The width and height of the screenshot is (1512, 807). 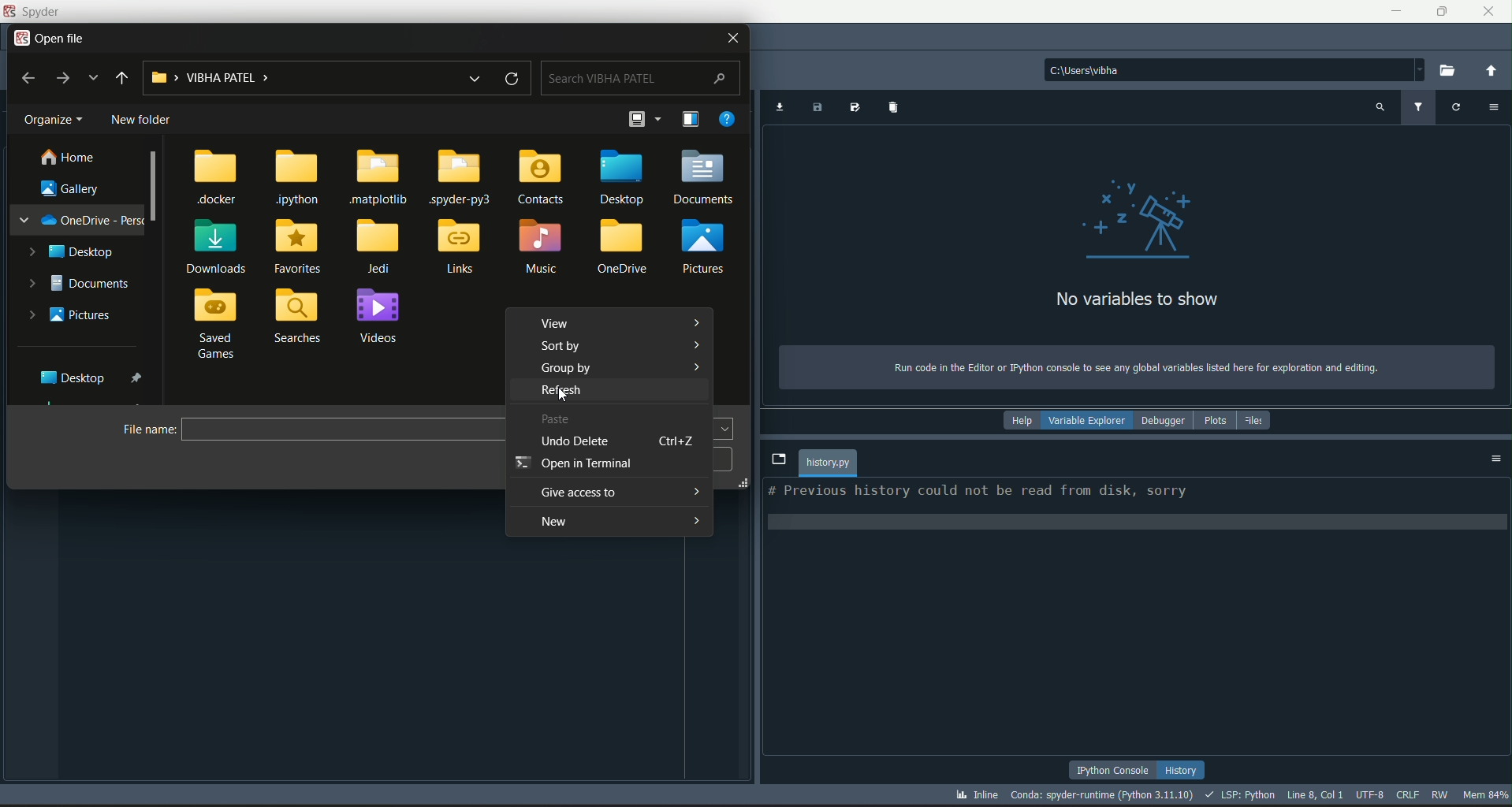 I want to click on minimize/maximize, so click(x=1439, y=12).